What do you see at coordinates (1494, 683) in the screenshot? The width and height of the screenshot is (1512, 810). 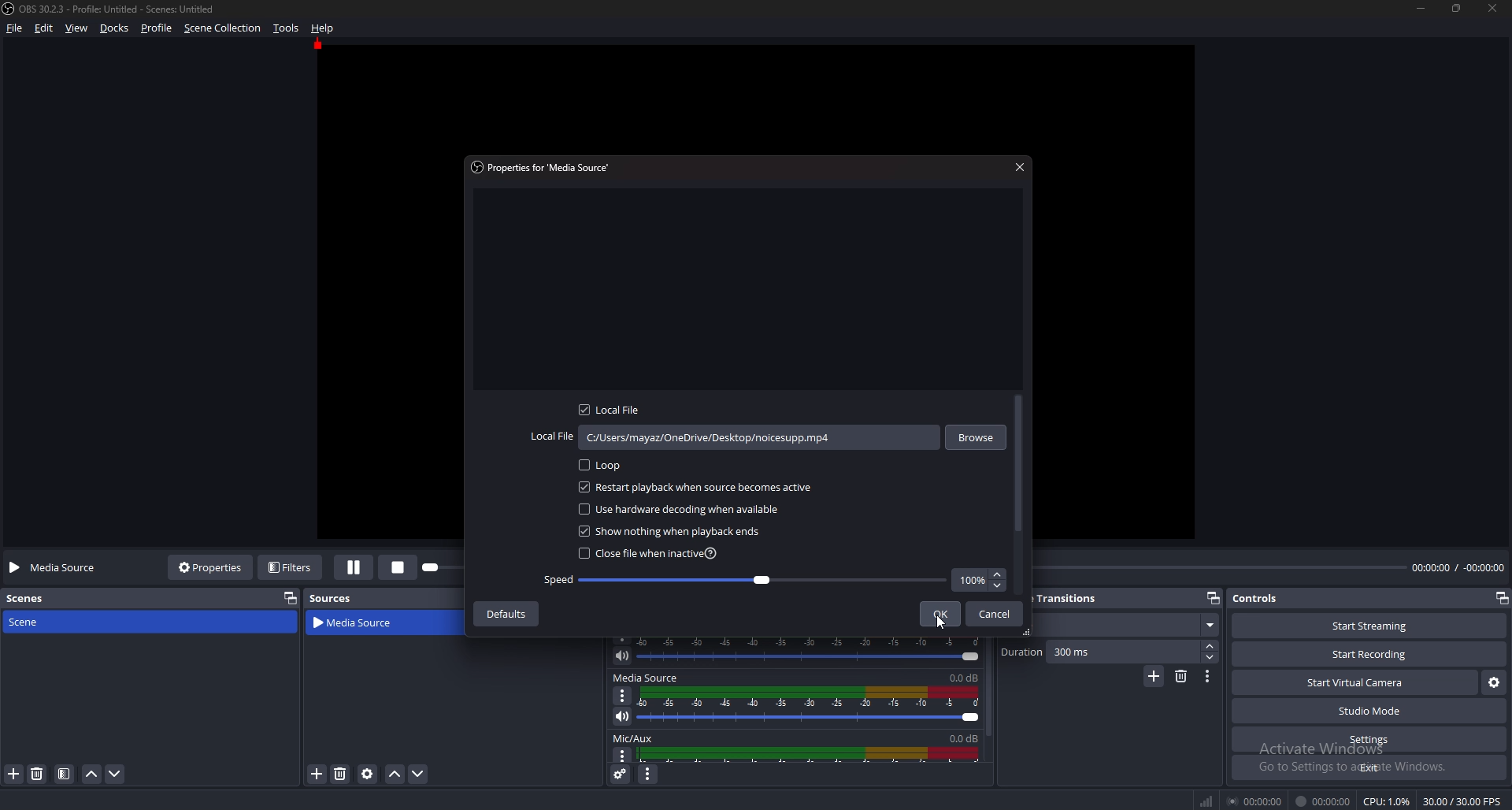 I see `Virtual camera settings` at bounding box center [1494, 683].